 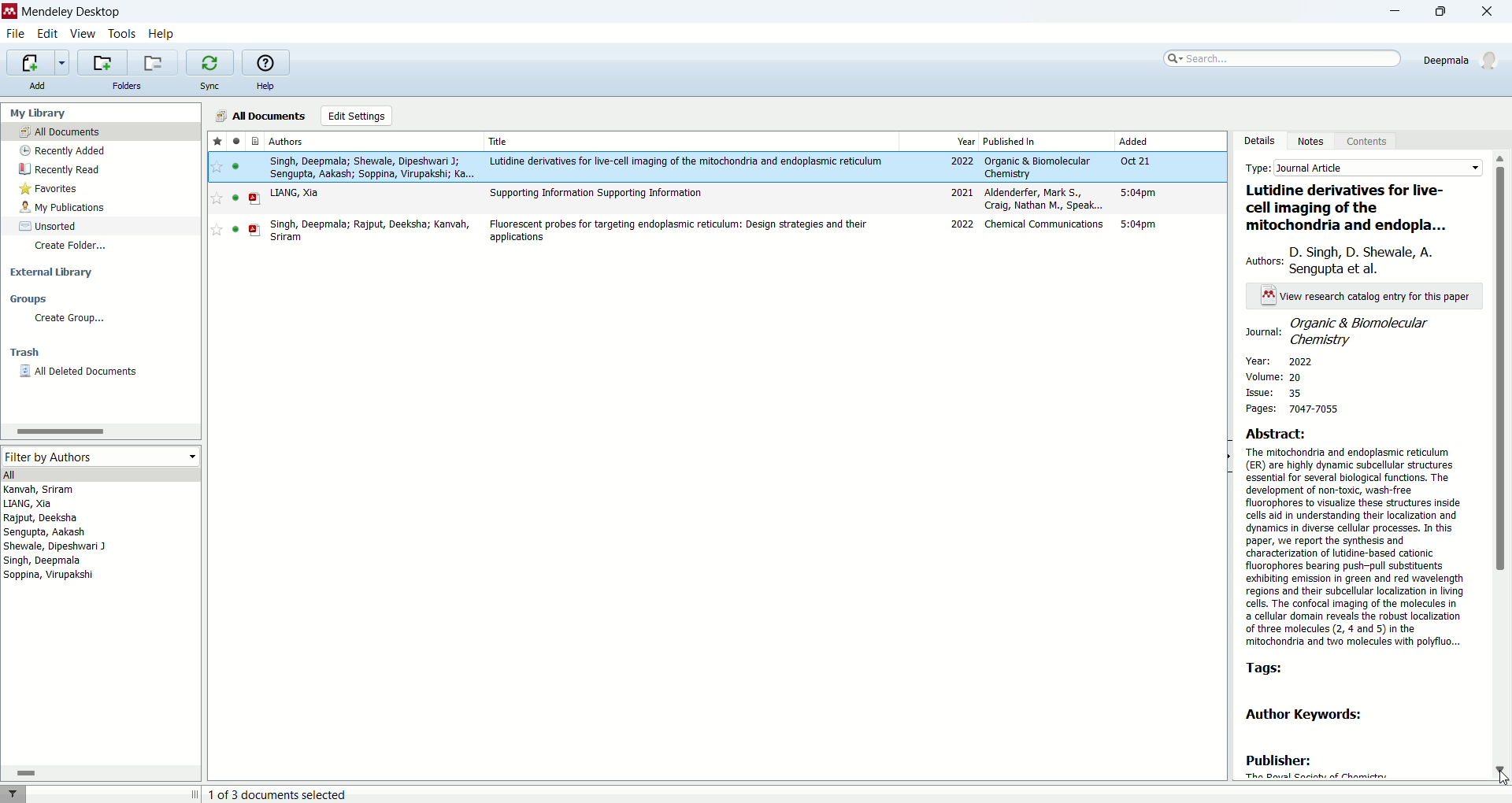 What do you see at coordinates (1314, 140) in the screenshot?
I see `notes` at bounding box center [1314, 140].